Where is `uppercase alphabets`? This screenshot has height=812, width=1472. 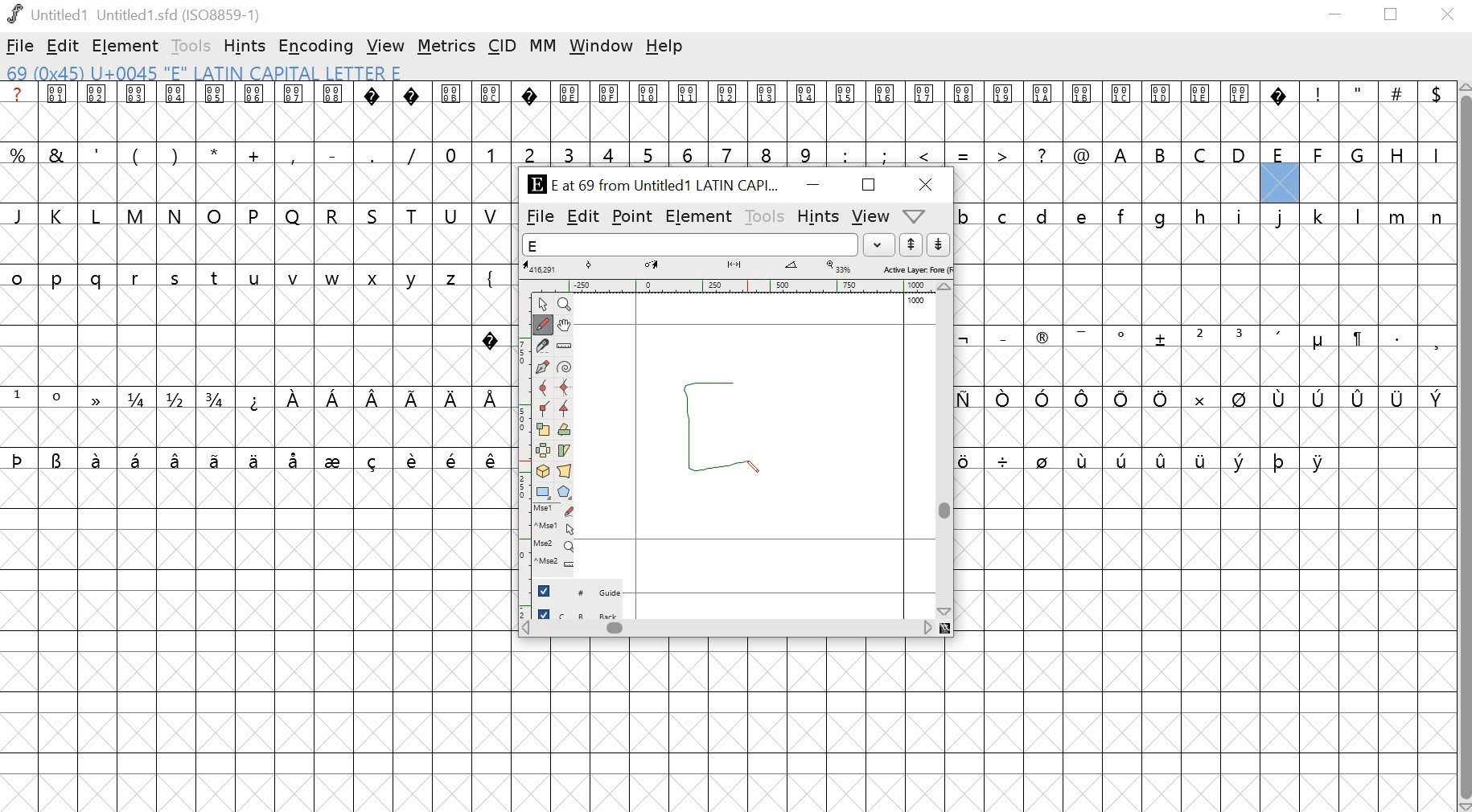
uppercase alphabets is located at coordinates (256, 215).